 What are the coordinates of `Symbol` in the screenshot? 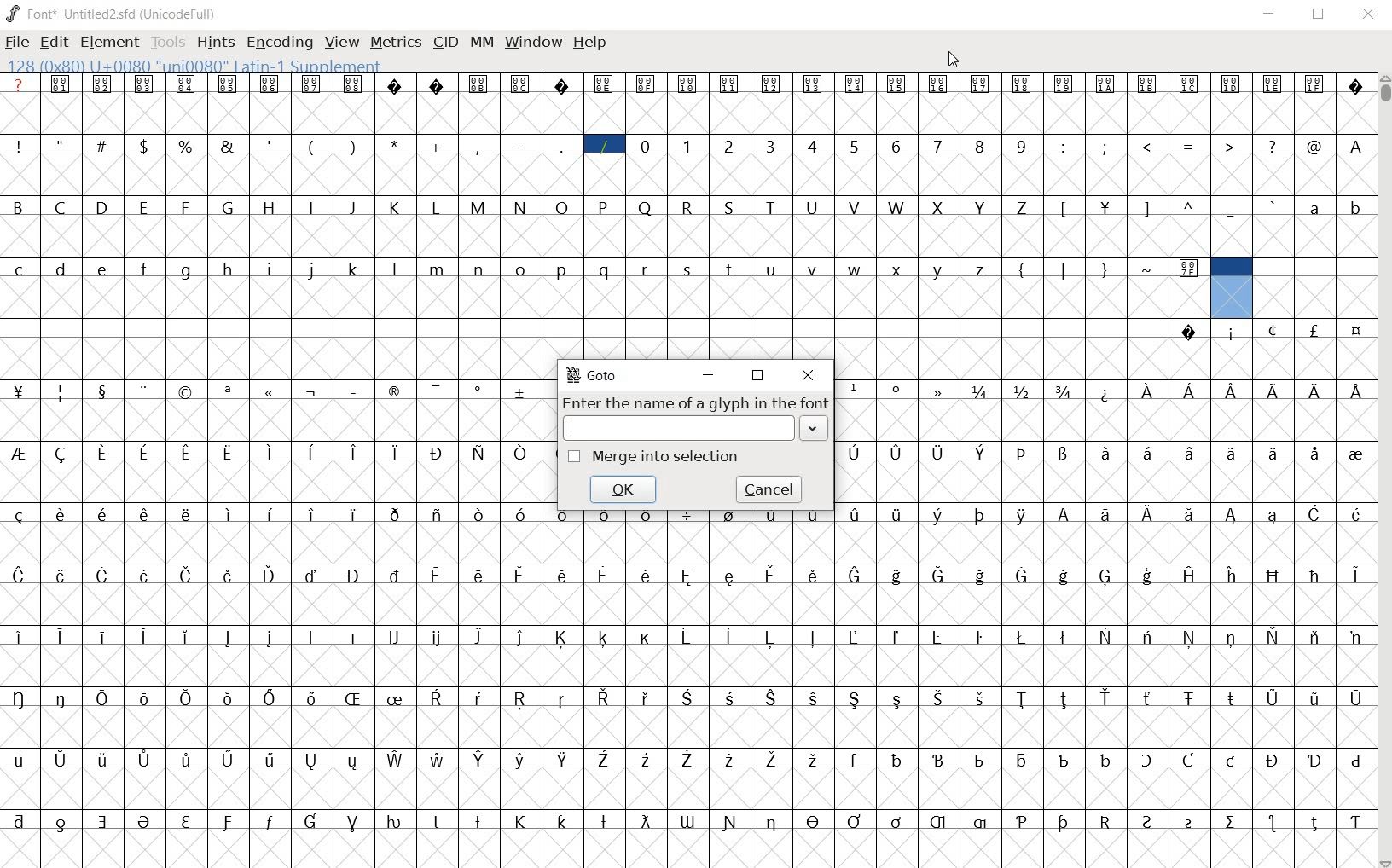 It's located at (899, 820).